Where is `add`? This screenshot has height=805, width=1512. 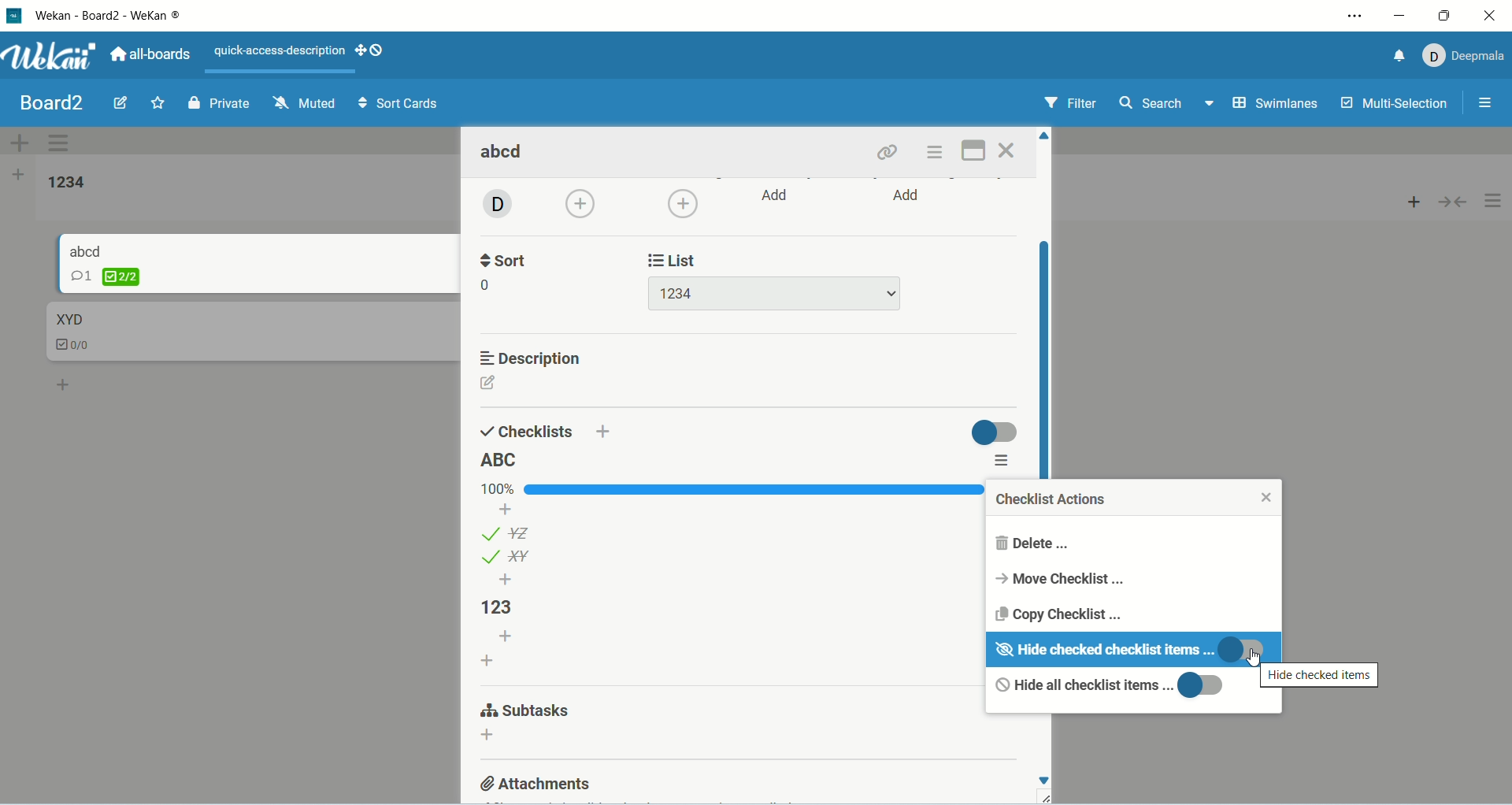 add is located at coordinates (777, 195).